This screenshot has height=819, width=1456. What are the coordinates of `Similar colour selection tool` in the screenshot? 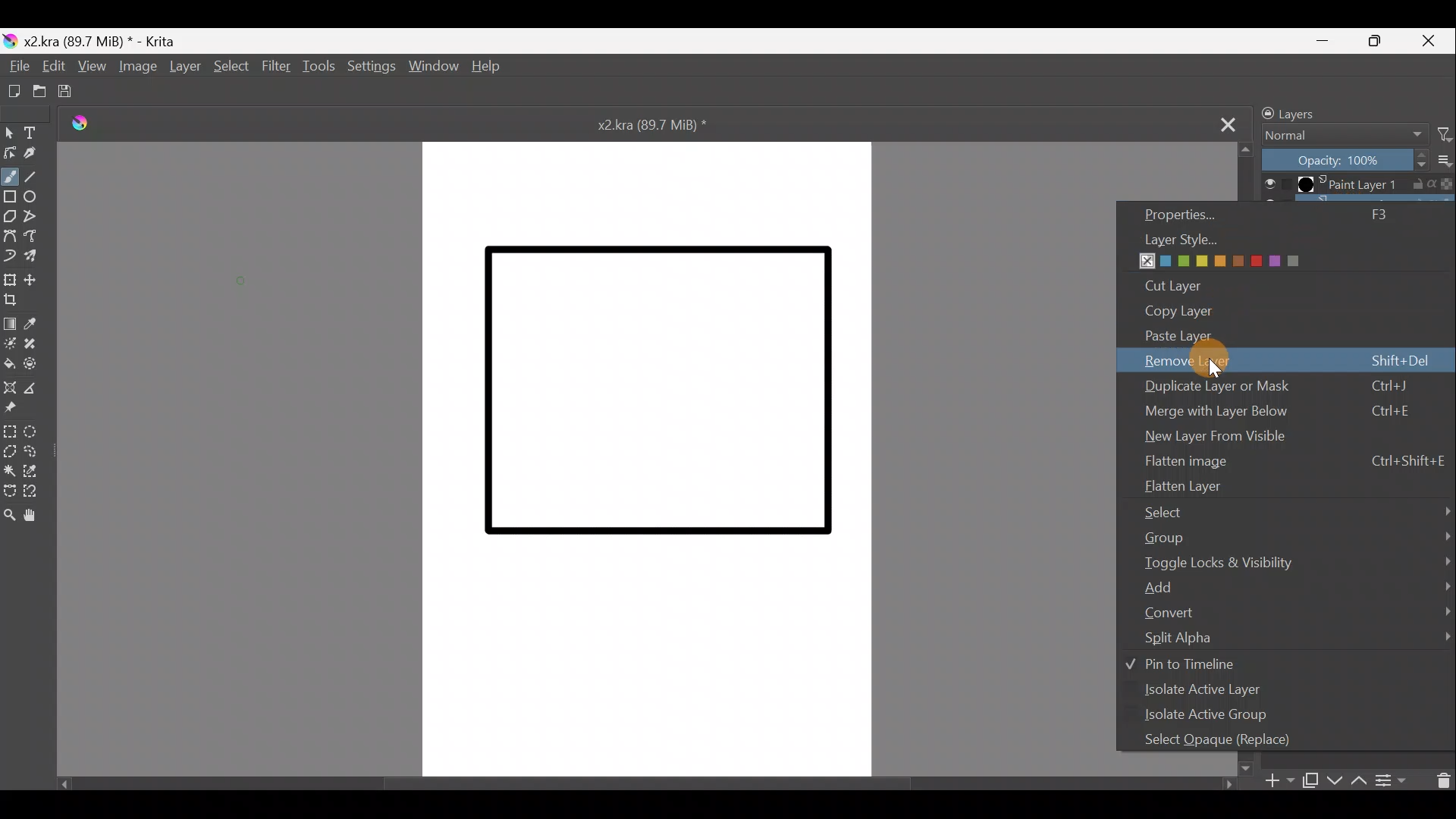 It's located at (39, 470).